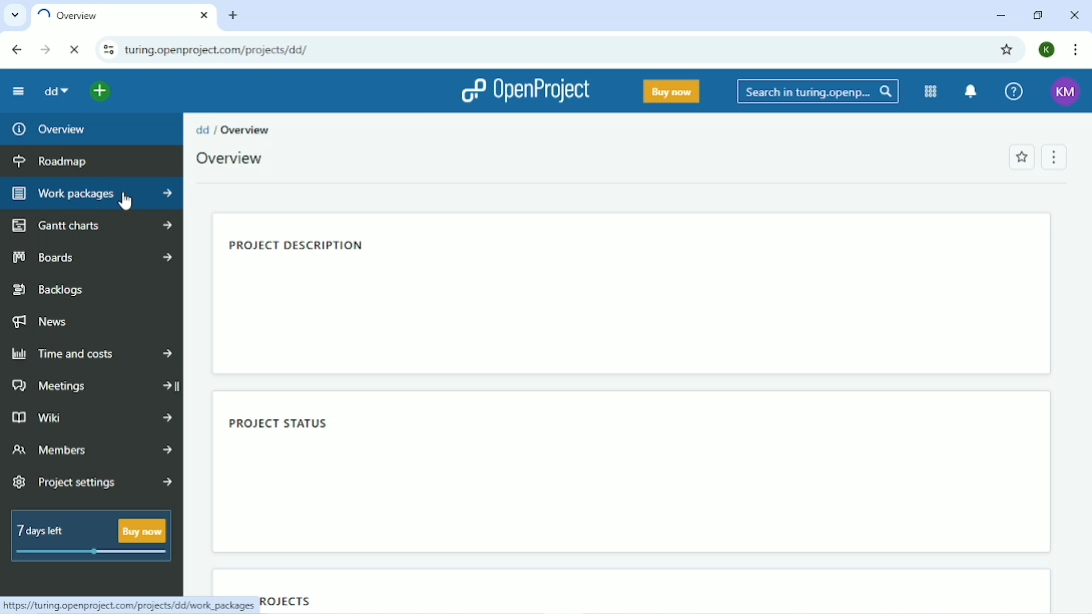 This screenshot has height=614, width=1092. What do you see at coordinates (293, 244) in the screenshot?
I see `Project description` at bounding box center [293, 244].